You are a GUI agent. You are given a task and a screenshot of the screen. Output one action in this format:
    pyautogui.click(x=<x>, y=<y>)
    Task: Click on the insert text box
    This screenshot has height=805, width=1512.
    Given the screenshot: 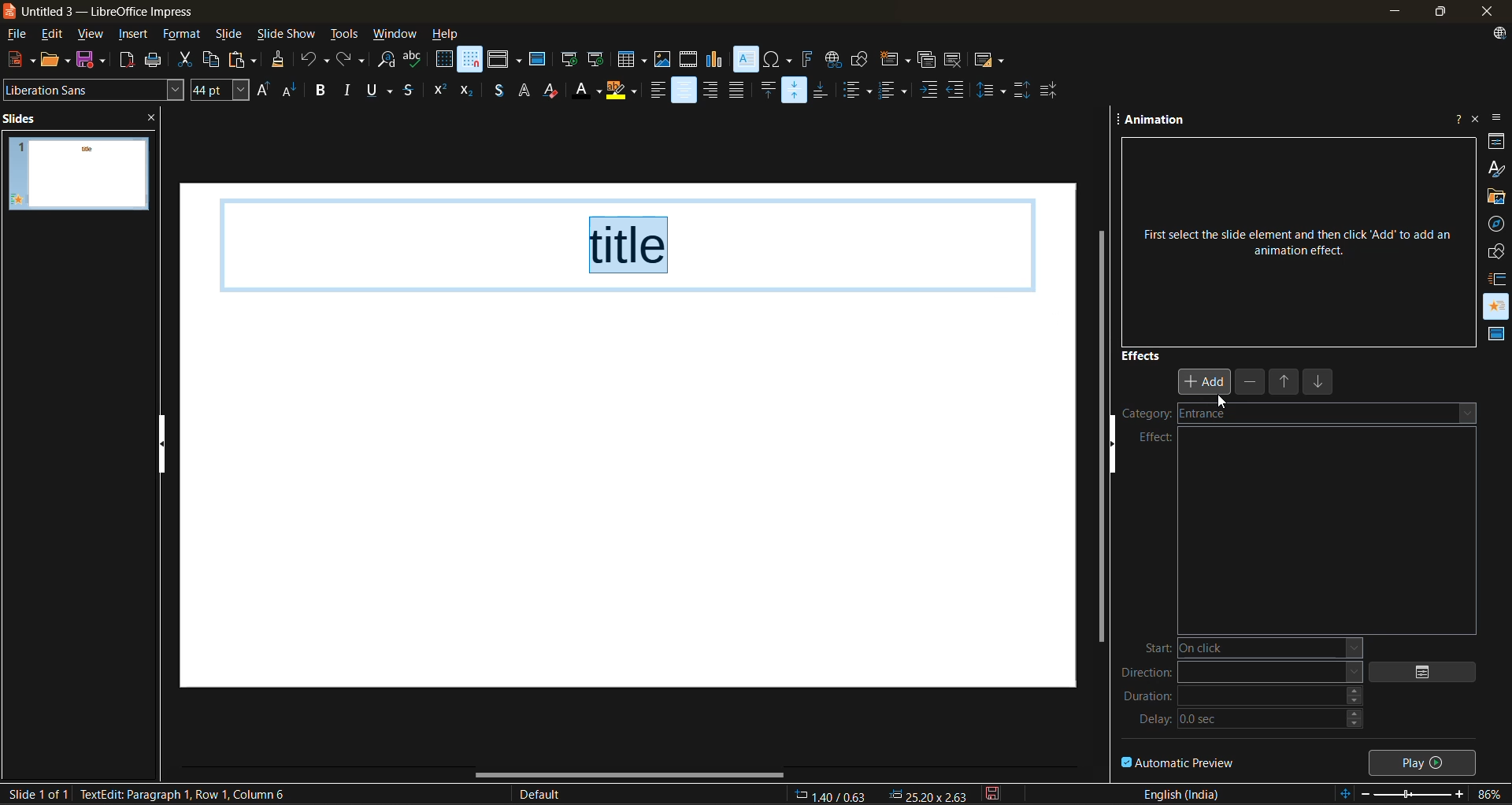 What is the action you would take?
    pyautogui.click(x=744, y=60)
    